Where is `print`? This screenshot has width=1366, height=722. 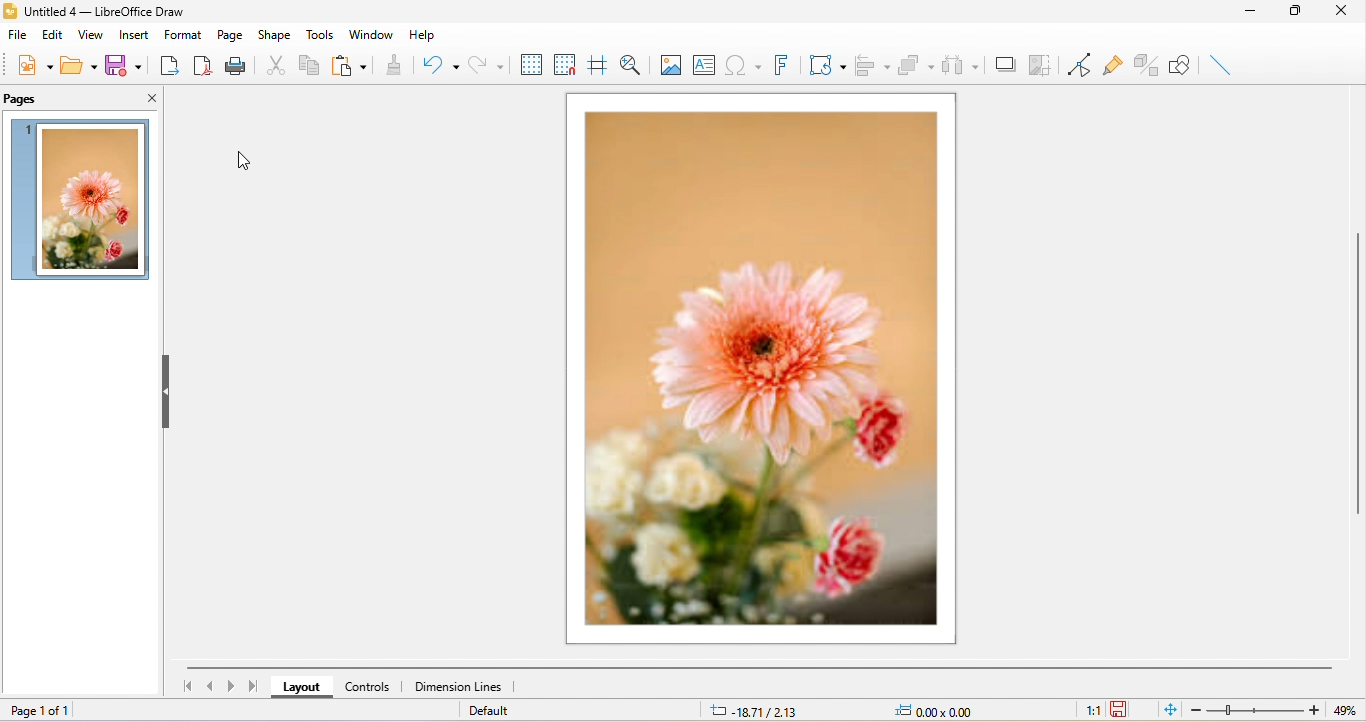
print is located at coordinates (238, 67).